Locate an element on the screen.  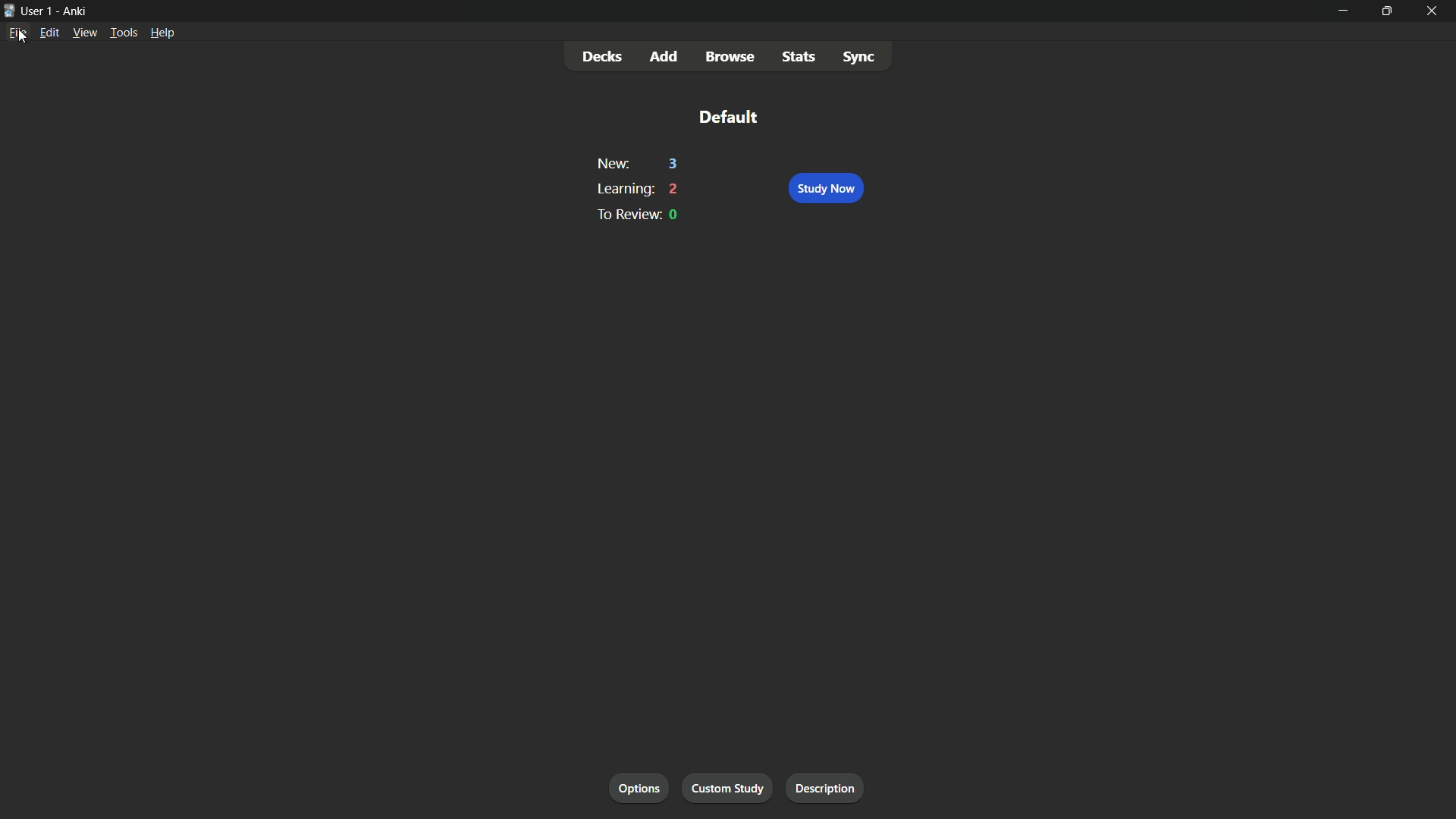
app icon is located at coordinates (9, 11).